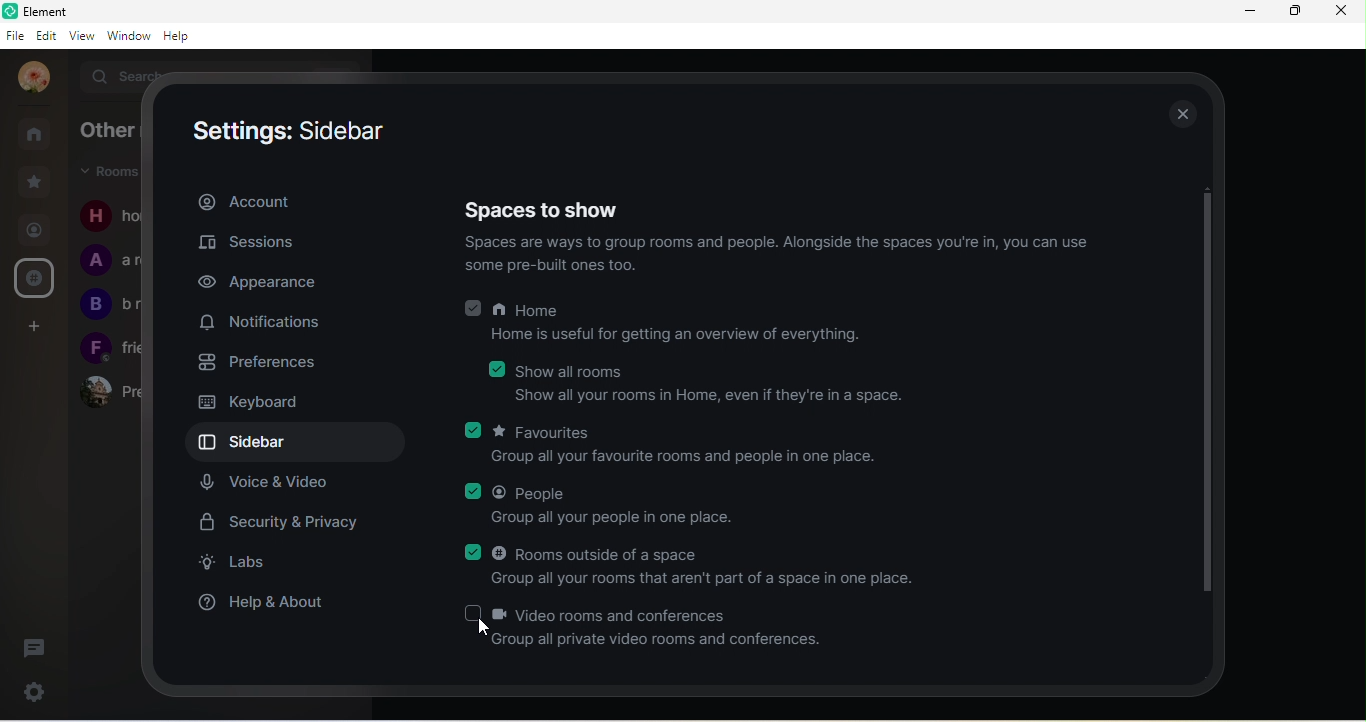 Image resolution: width=1366 pixels, height=722 pixels. I want to click on people, so click(602, 506).